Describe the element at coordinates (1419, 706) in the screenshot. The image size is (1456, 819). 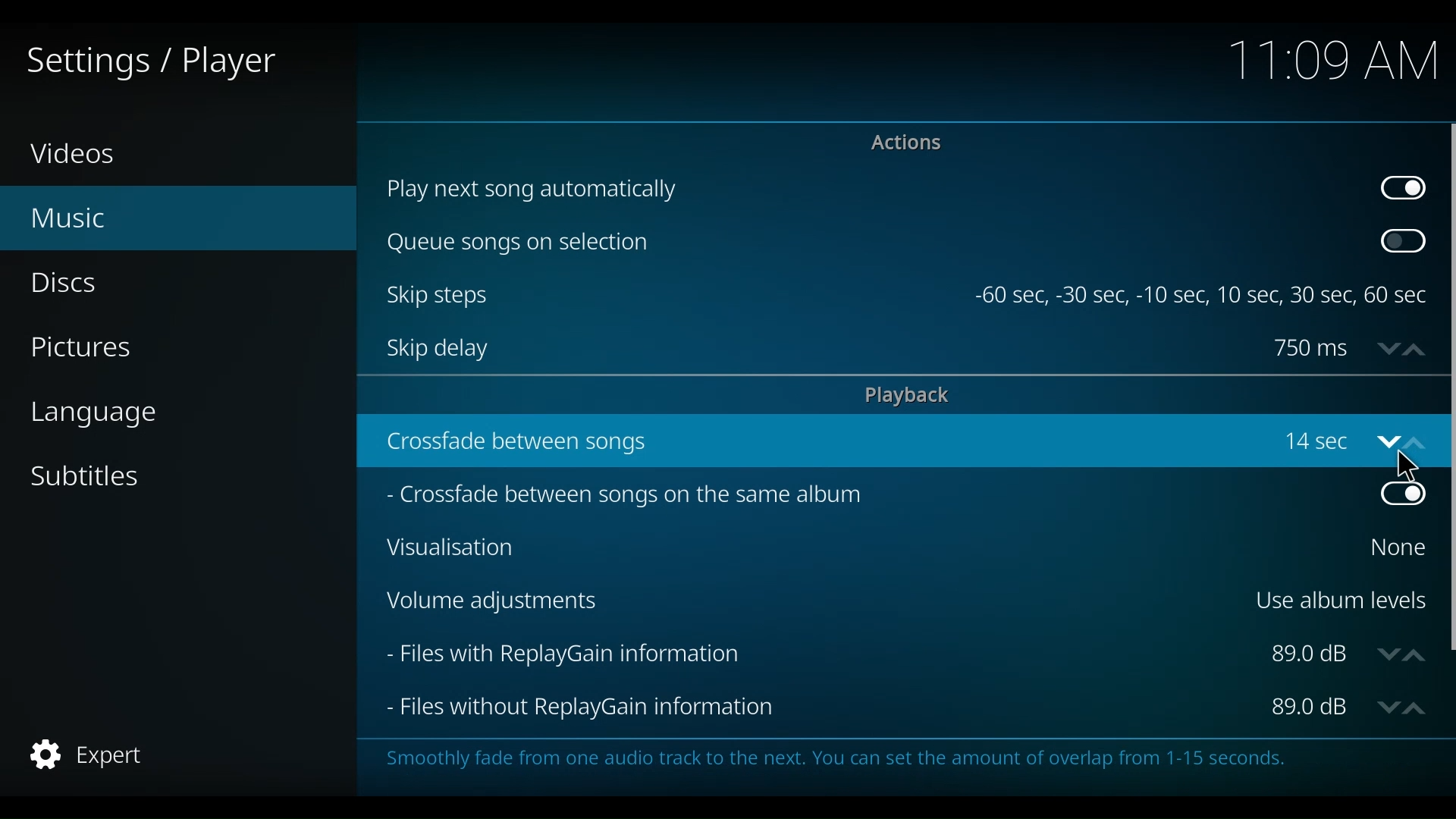
I see `up` at that location.